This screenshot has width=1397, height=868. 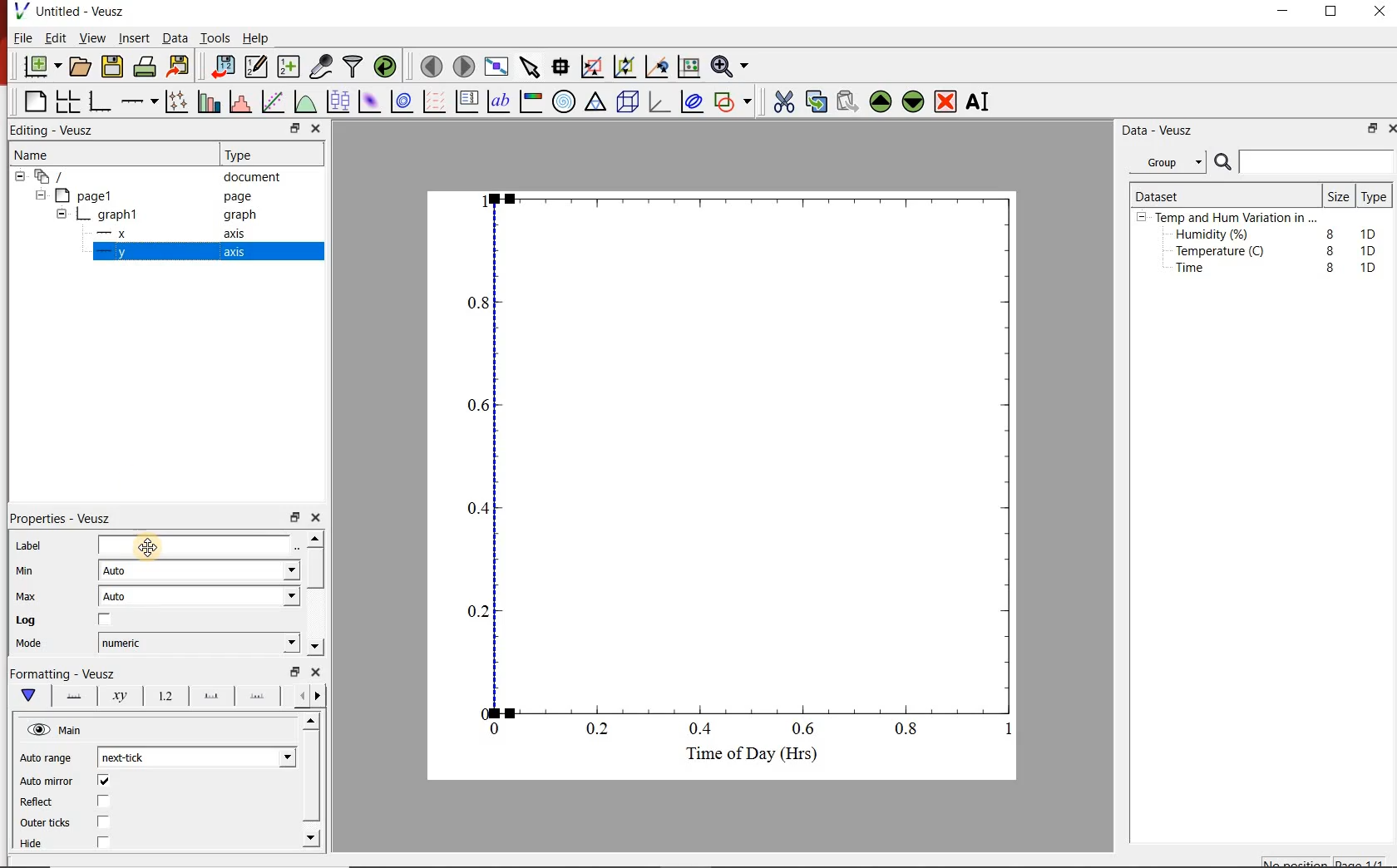 I want to click on move to the previous page, so click(x=430, y=67).